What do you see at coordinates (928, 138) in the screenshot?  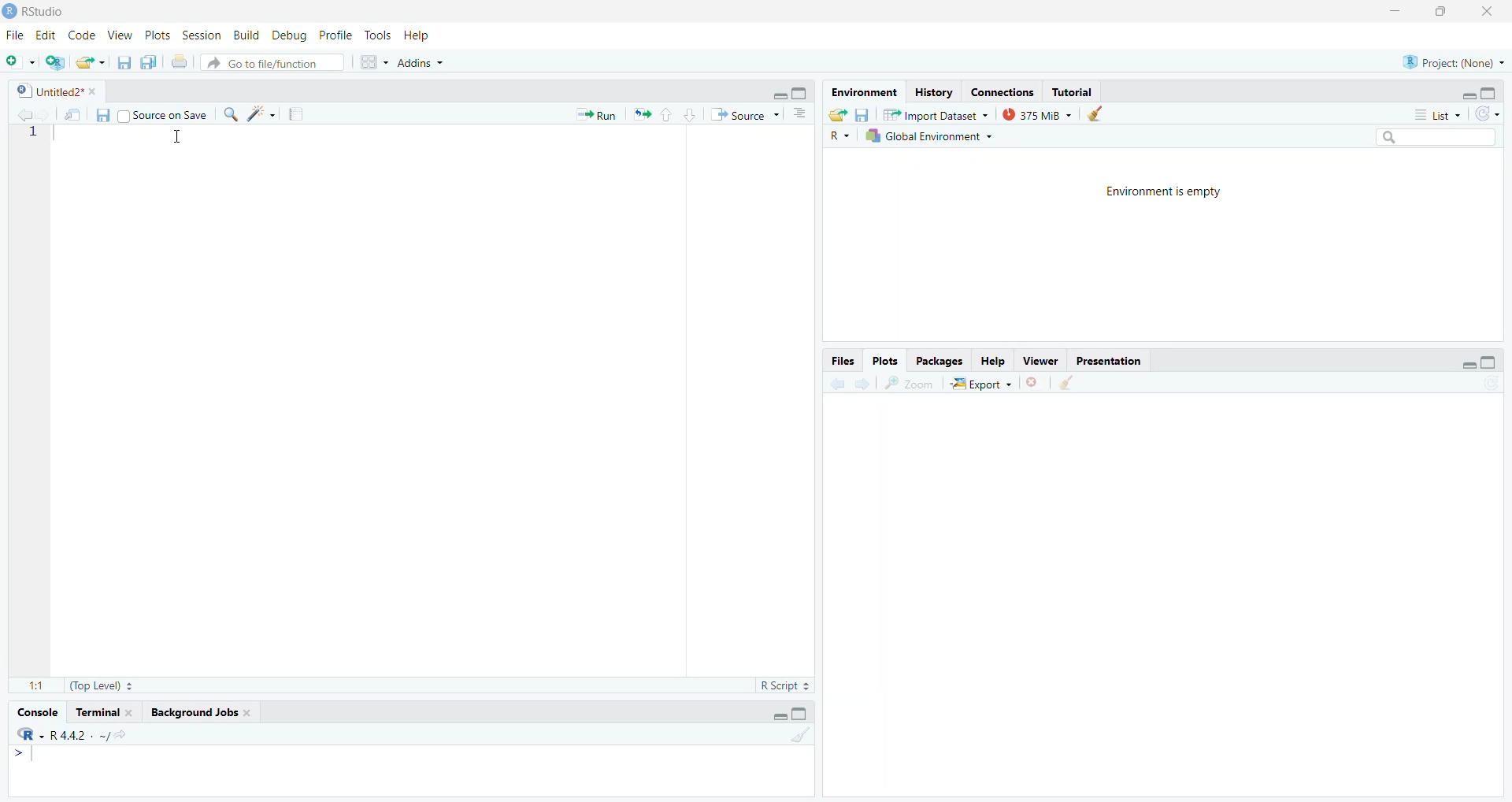 I see `1h Global Environment +` at bounding box center [928, 138].